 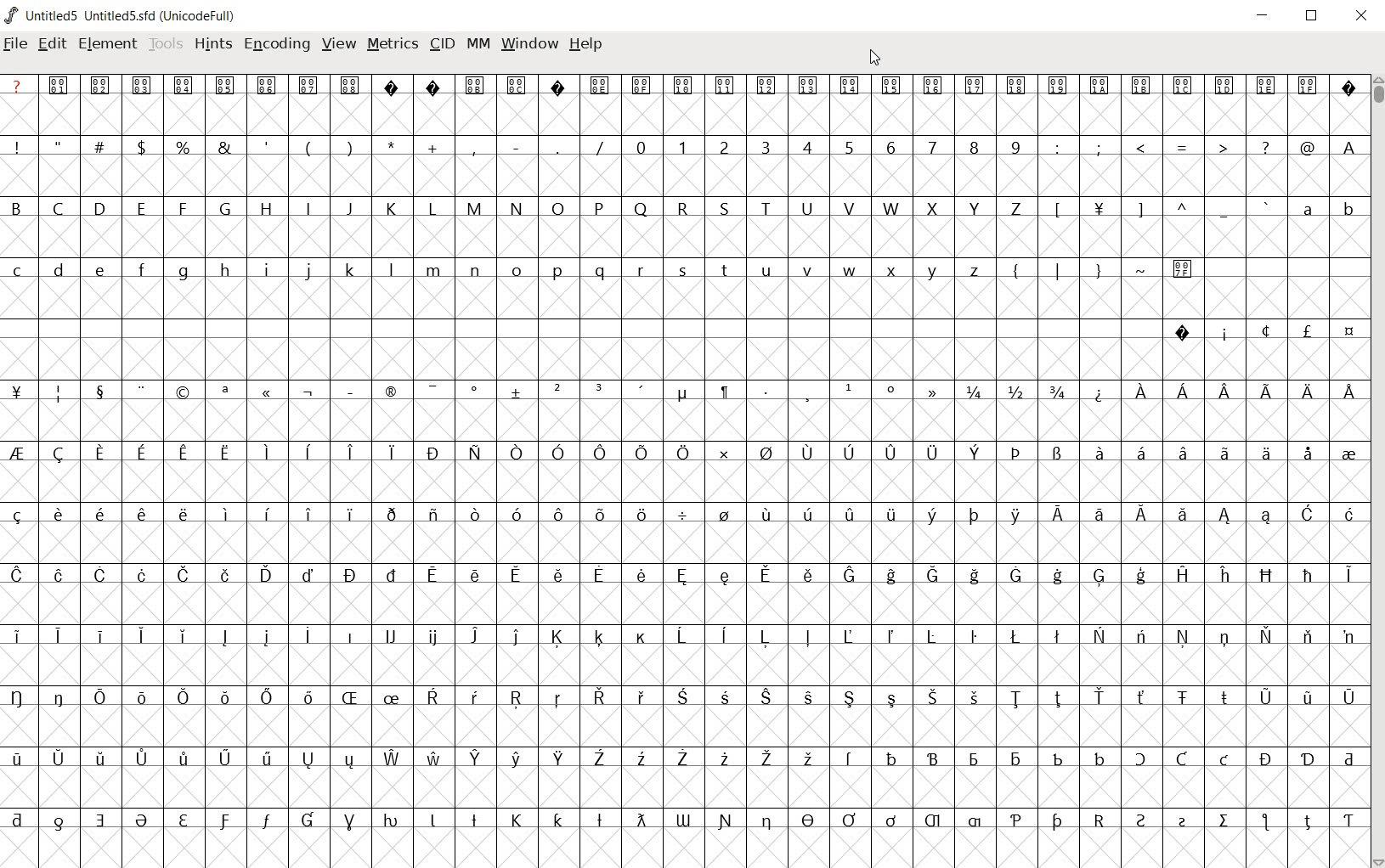 I want to click on r, so click(x=640, y=268).